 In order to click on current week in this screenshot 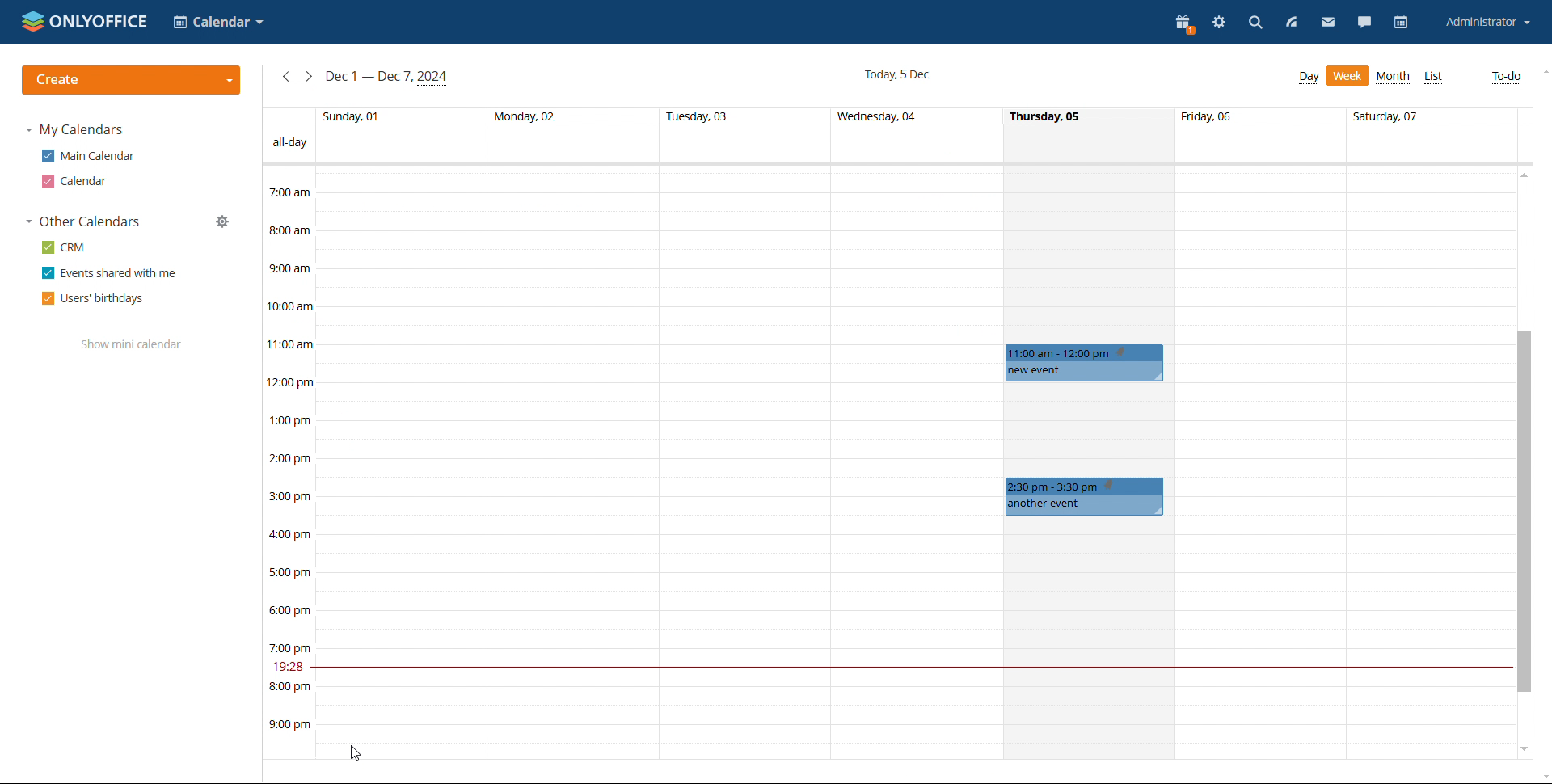, I will do `click(387, 78)`.